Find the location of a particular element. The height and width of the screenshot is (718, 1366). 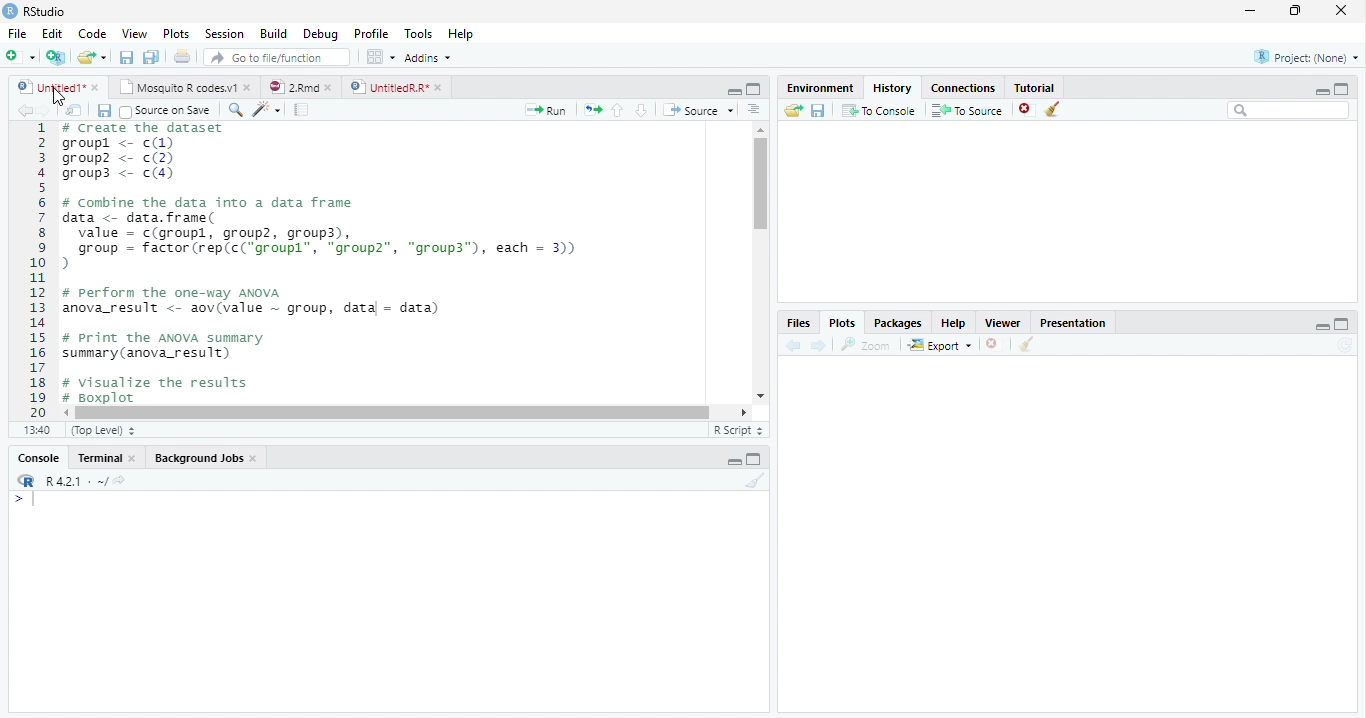

To source is located at coordinates (970, 112).